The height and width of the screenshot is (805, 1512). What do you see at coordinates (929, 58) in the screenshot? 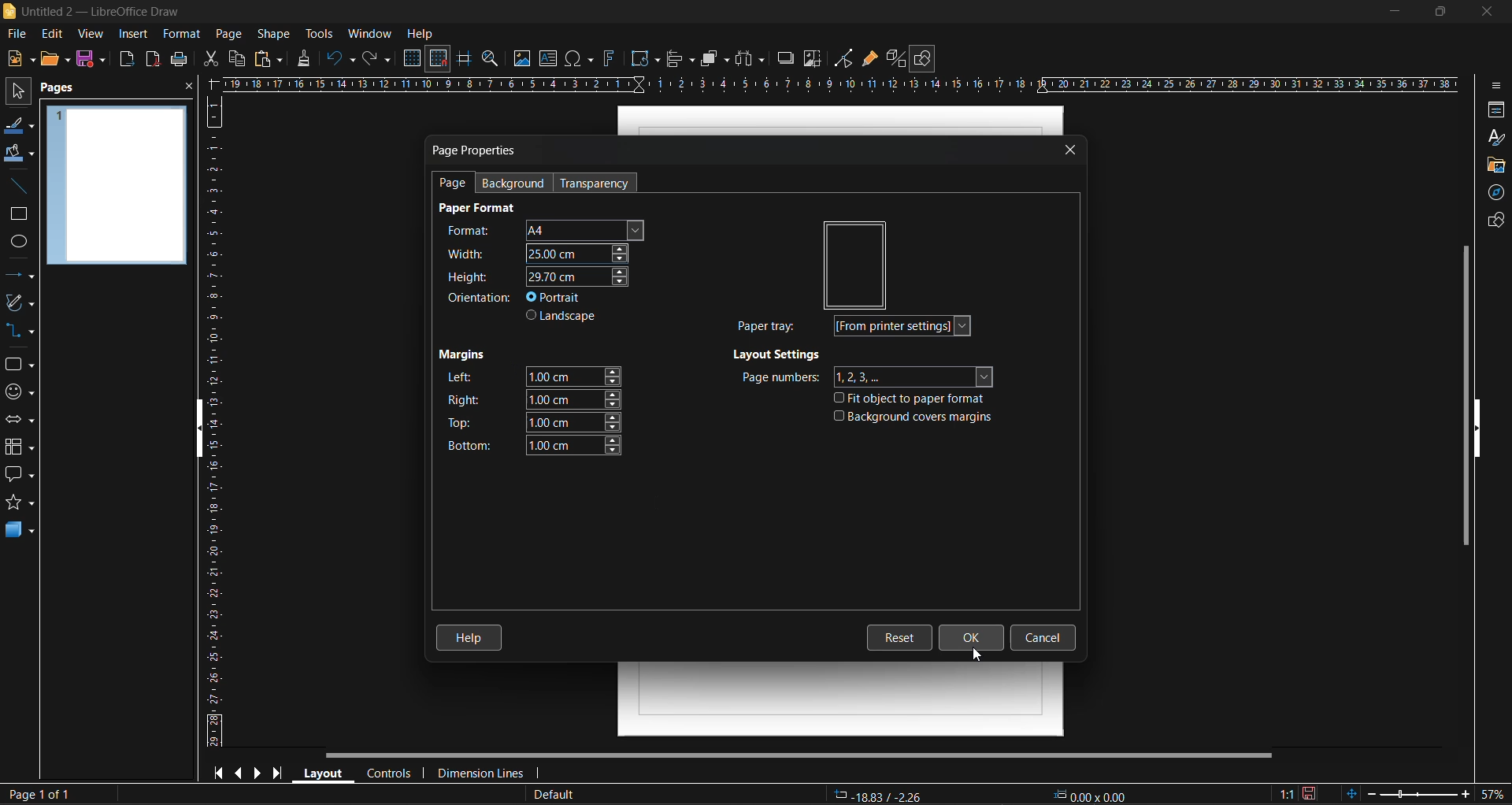
I see `show draw functions` at bounding box center [929, 58].